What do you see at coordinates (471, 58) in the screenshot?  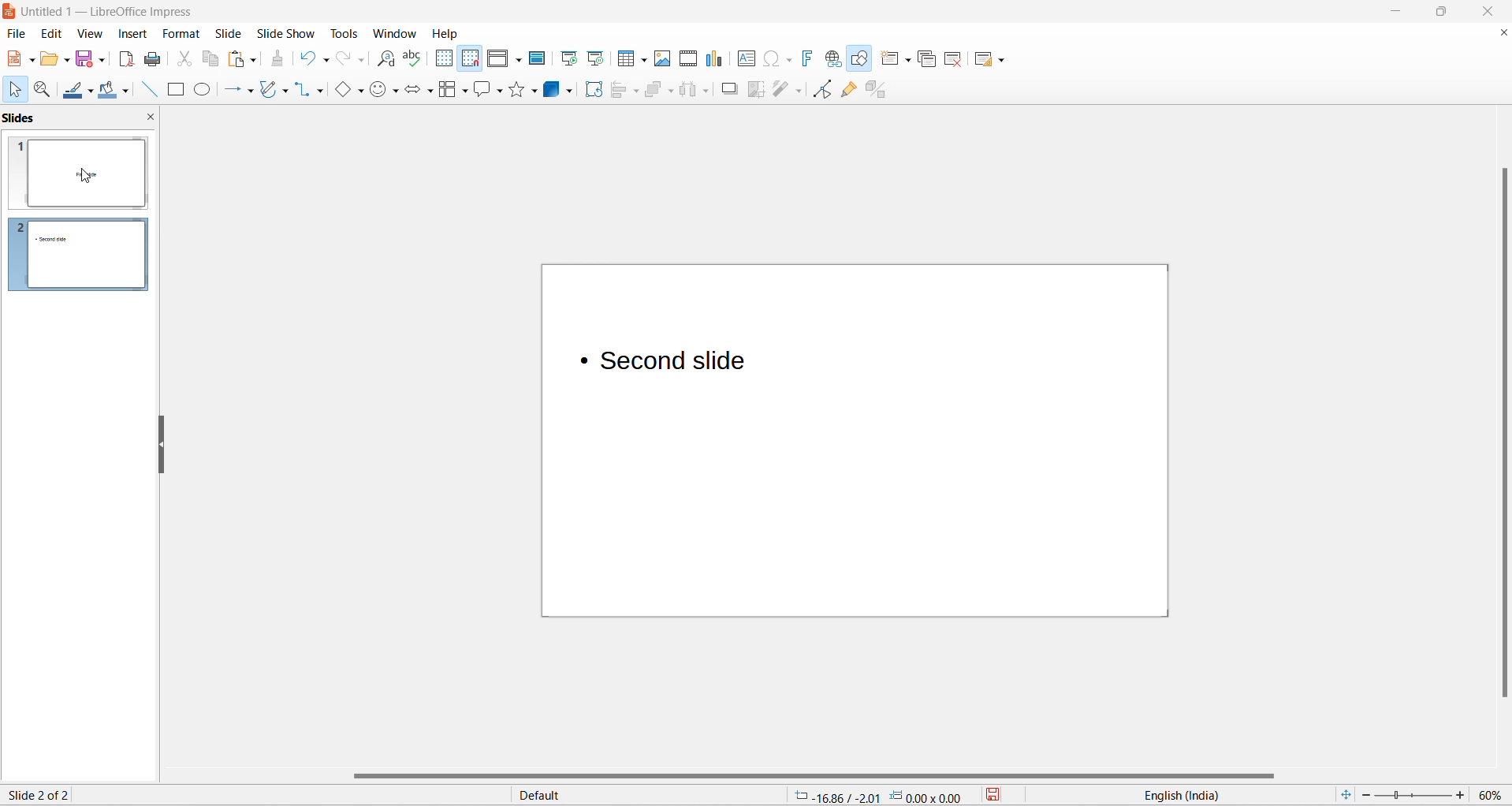 I see `snap to grid` at bounding box center [471, 58].